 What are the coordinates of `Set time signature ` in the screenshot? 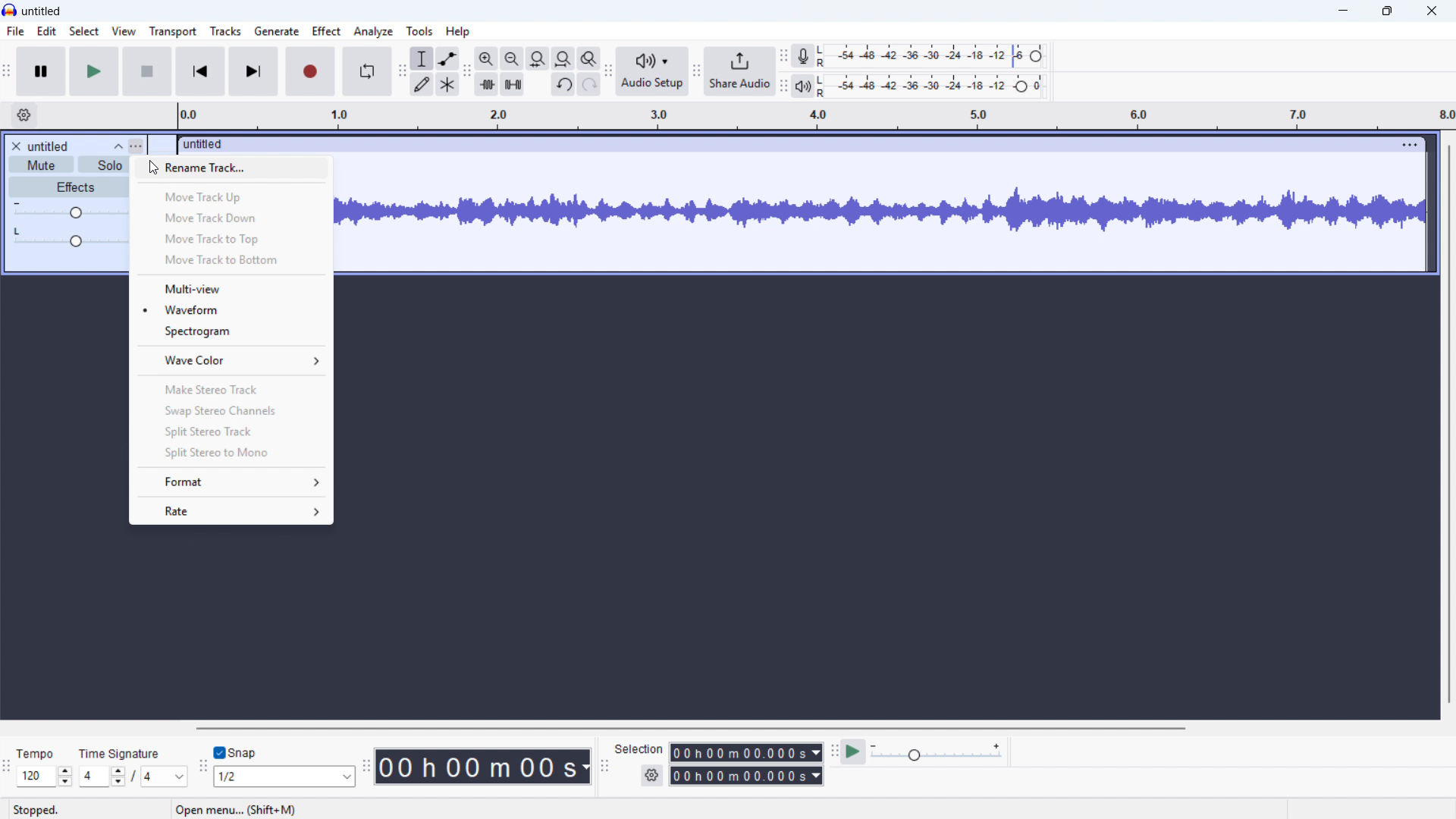 It's located at (134, 777).